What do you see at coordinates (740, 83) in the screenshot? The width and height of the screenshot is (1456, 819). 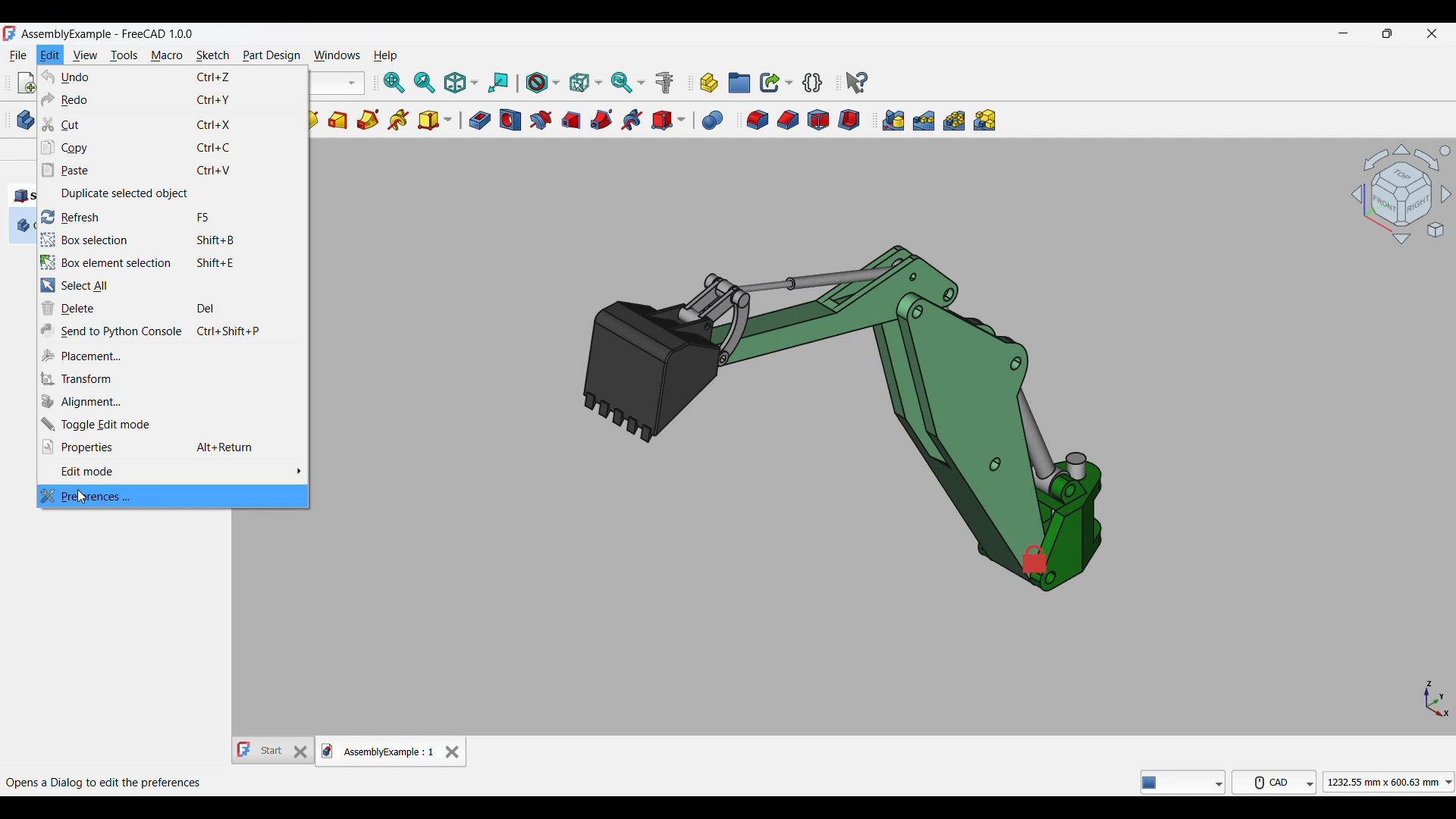 I see `Create group` at bounding box center [740, 83].